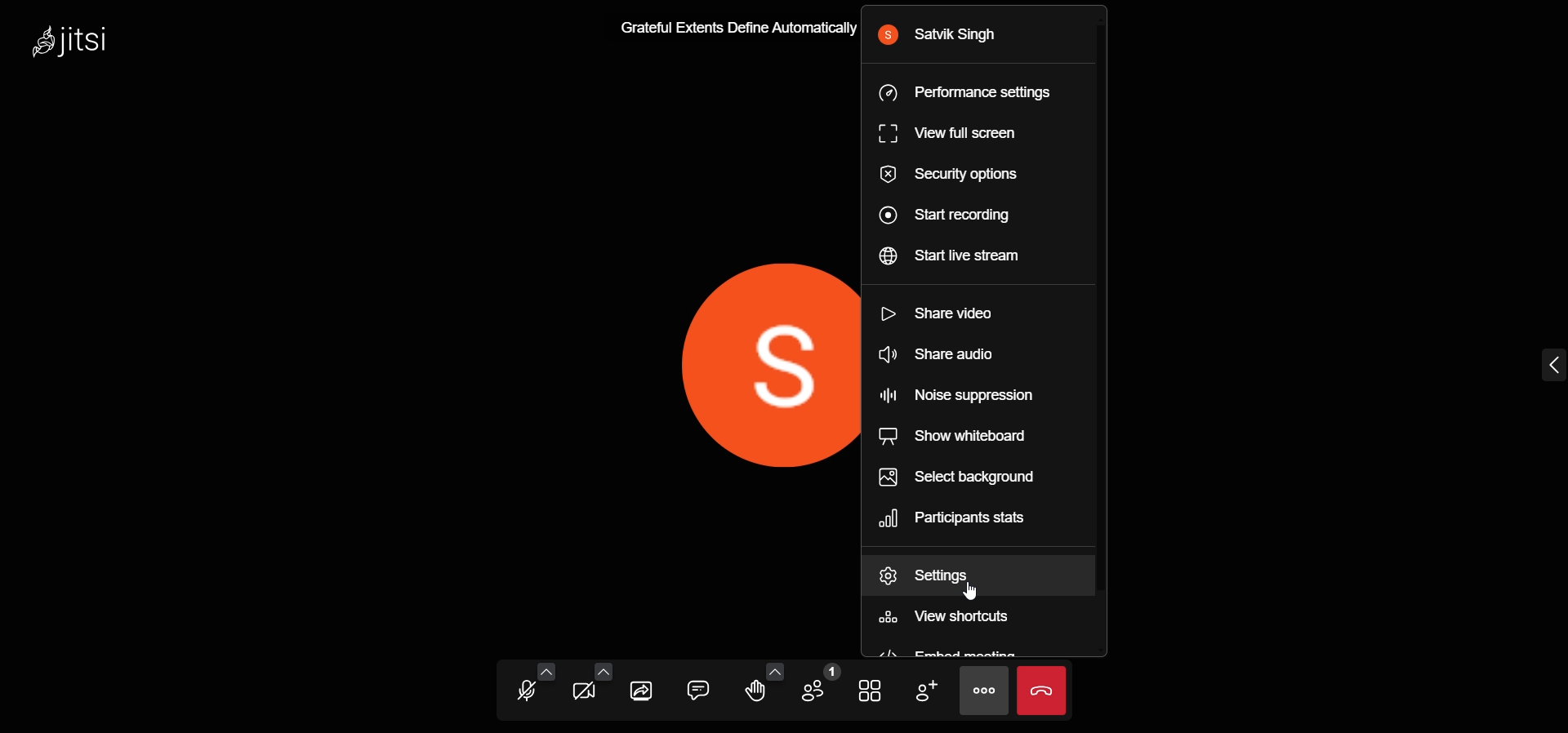  What do you see at coordinates (583, 694) in the screenshot?
I see `video` at bounding box center [583, 694].